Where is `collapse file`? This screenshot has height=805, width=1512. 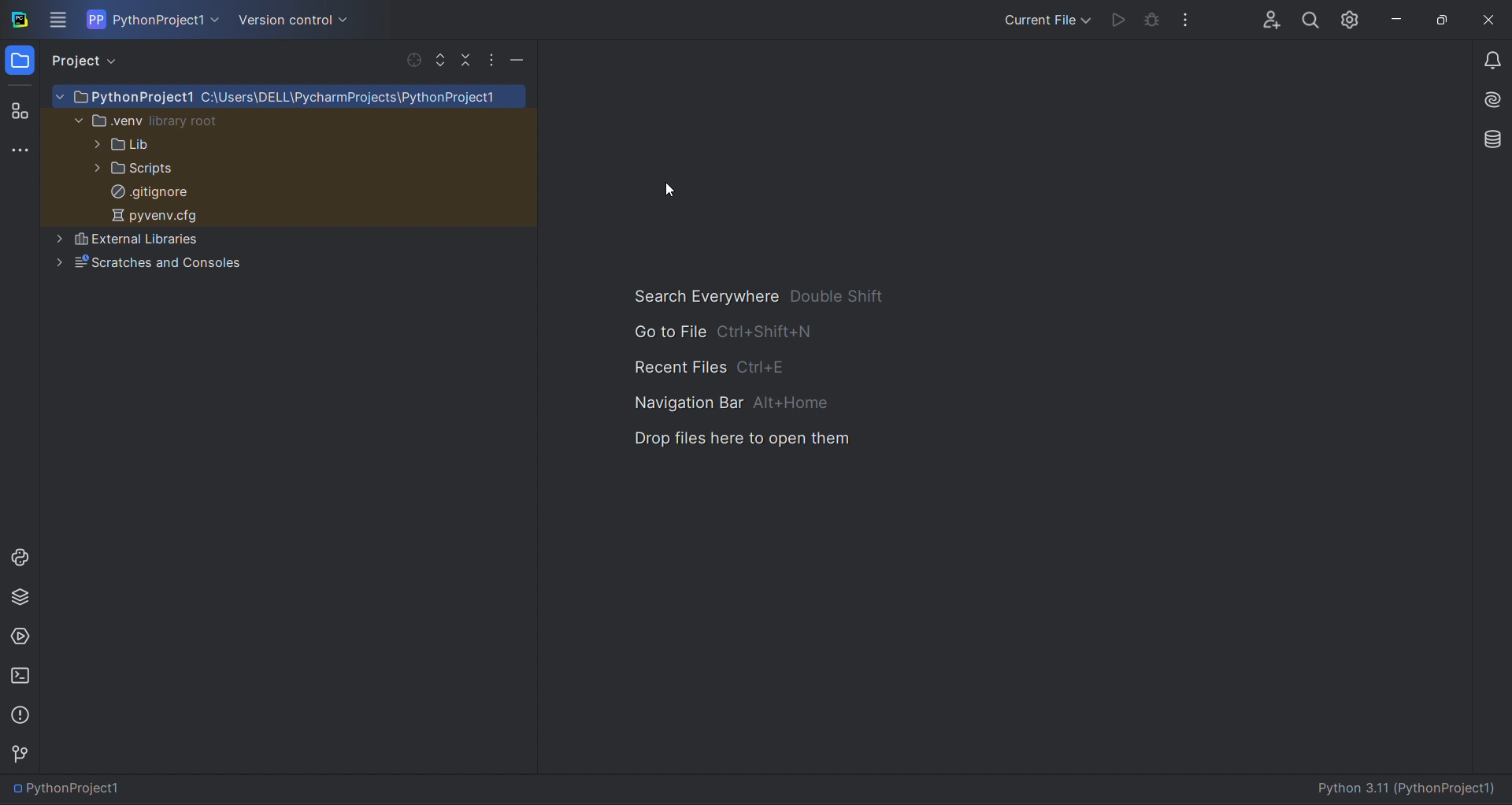
collapse file is located at coordinates (464, 59).